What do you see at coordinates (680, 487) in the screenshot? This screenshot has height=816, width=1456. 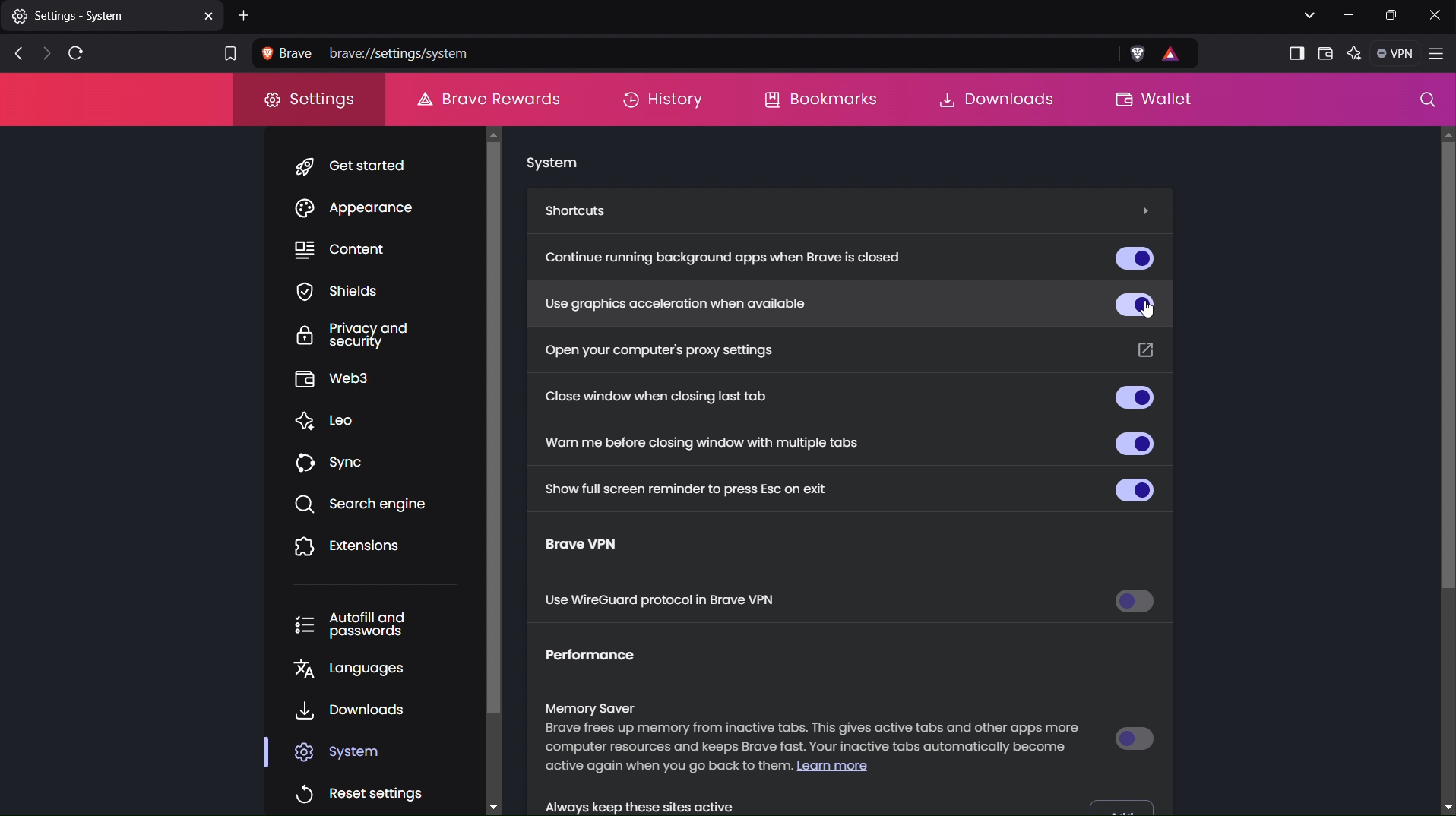 I see `Show full screen reminder to press Esc on exit` at bounding box center [680, 487].